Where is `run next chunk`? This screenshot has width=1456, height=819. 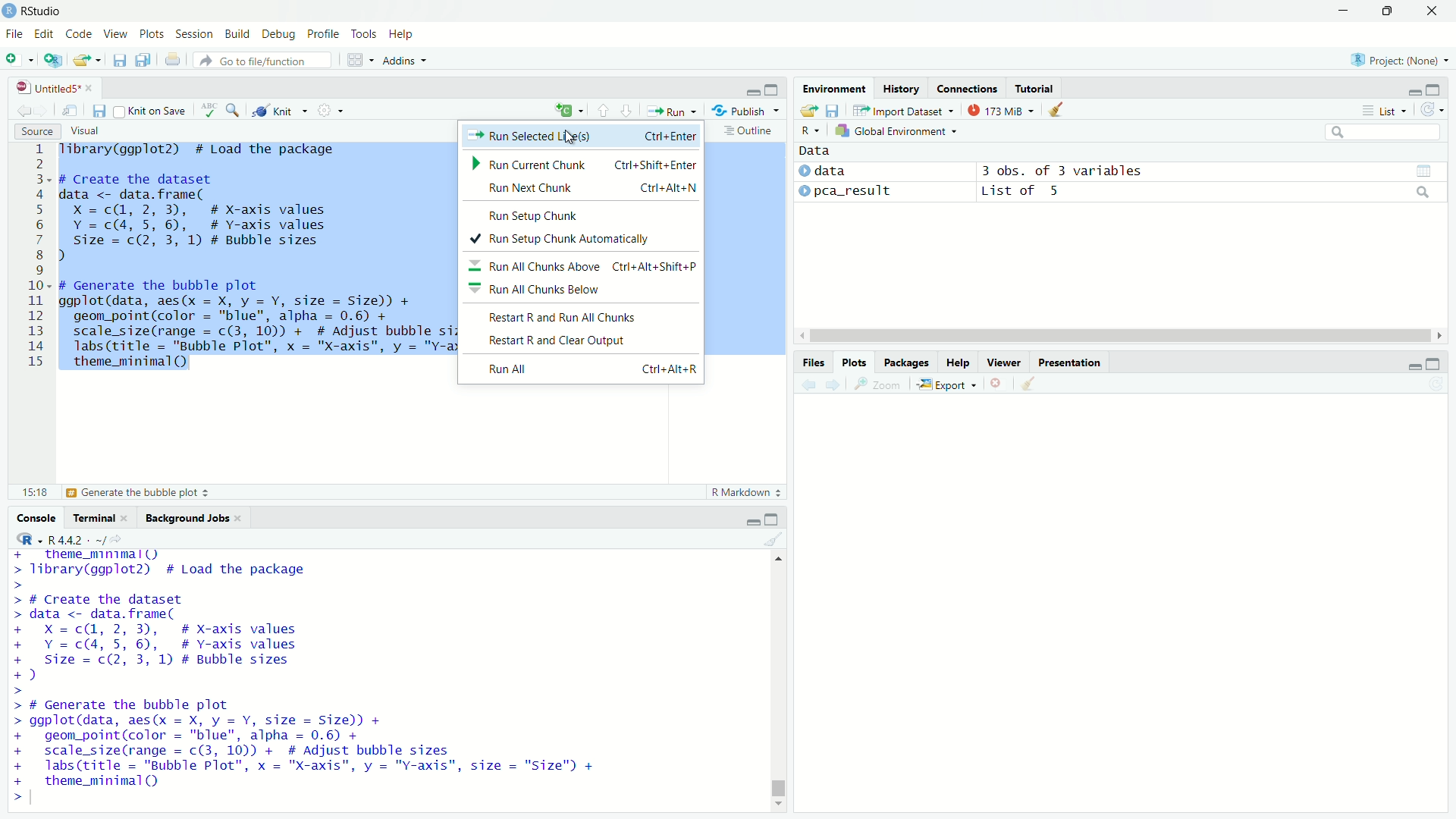
run next chunk is located at coordinates (580, 190).